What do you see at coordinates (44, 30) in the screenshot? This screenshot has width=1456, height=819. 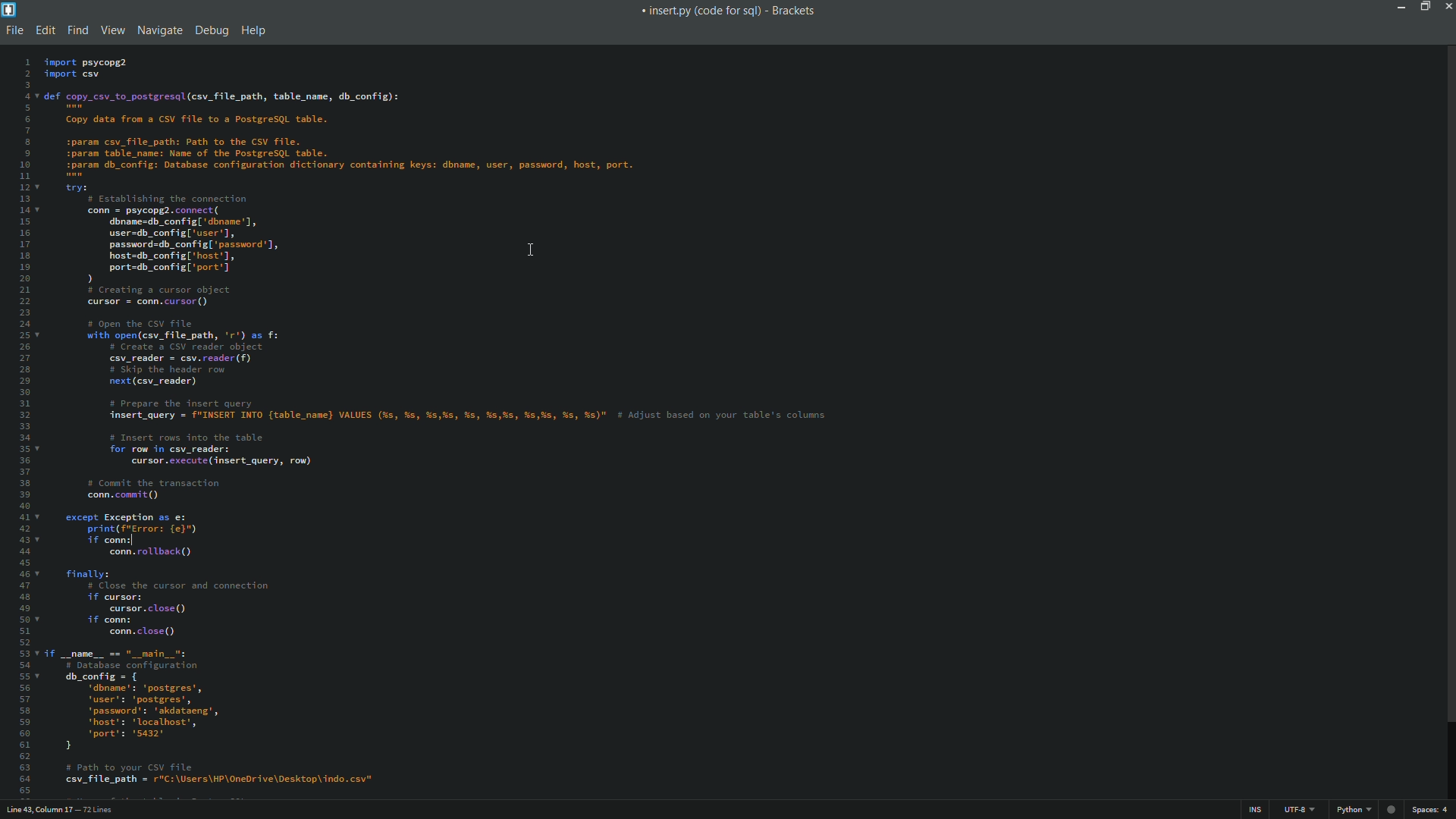 I see `edit menu` at bounding box center [44, 30].